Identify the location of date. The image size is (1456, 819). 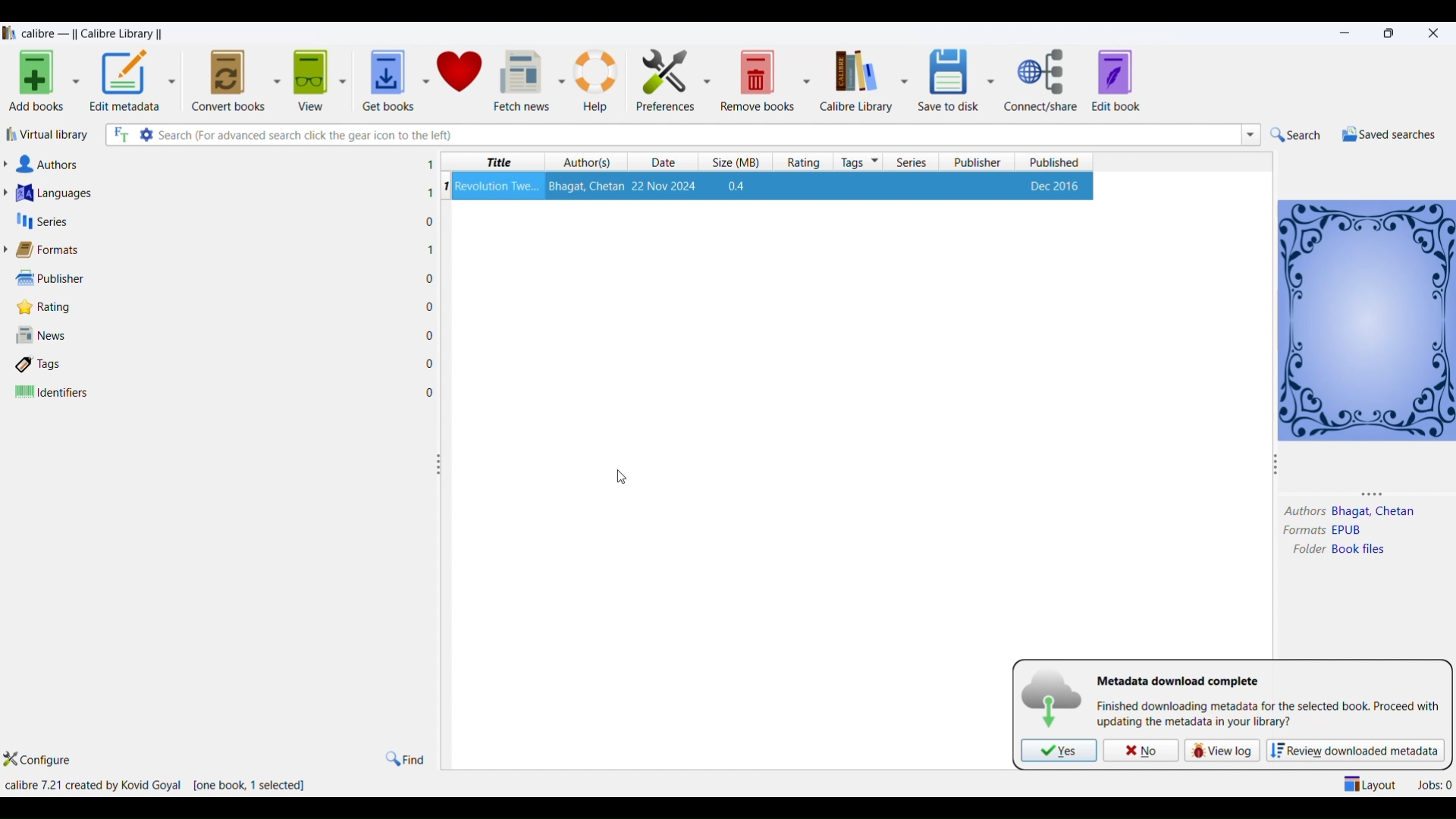
(667, 163).